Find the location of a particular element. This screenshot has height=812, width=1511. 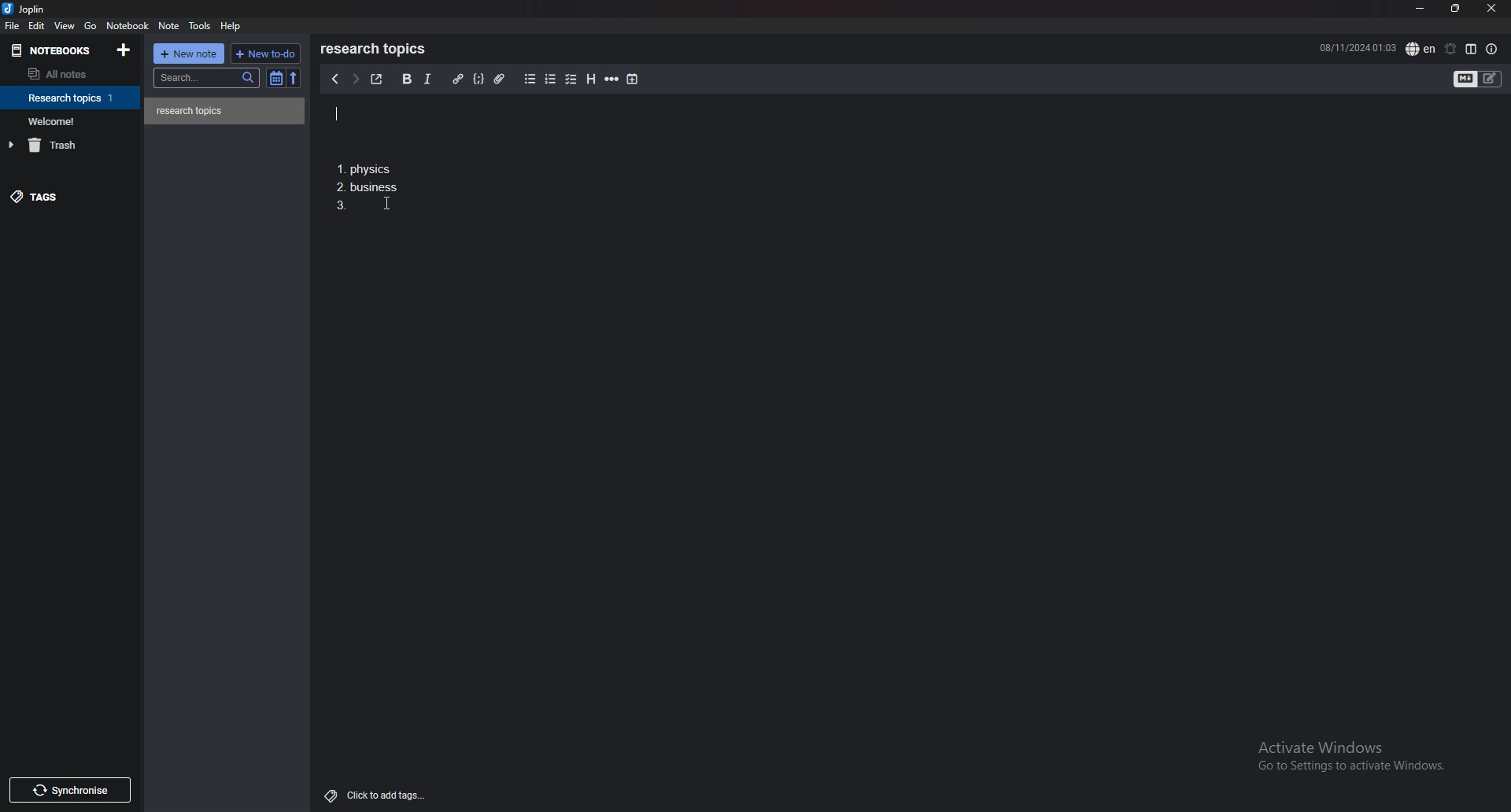

heading is located at coordinates (590, 79).